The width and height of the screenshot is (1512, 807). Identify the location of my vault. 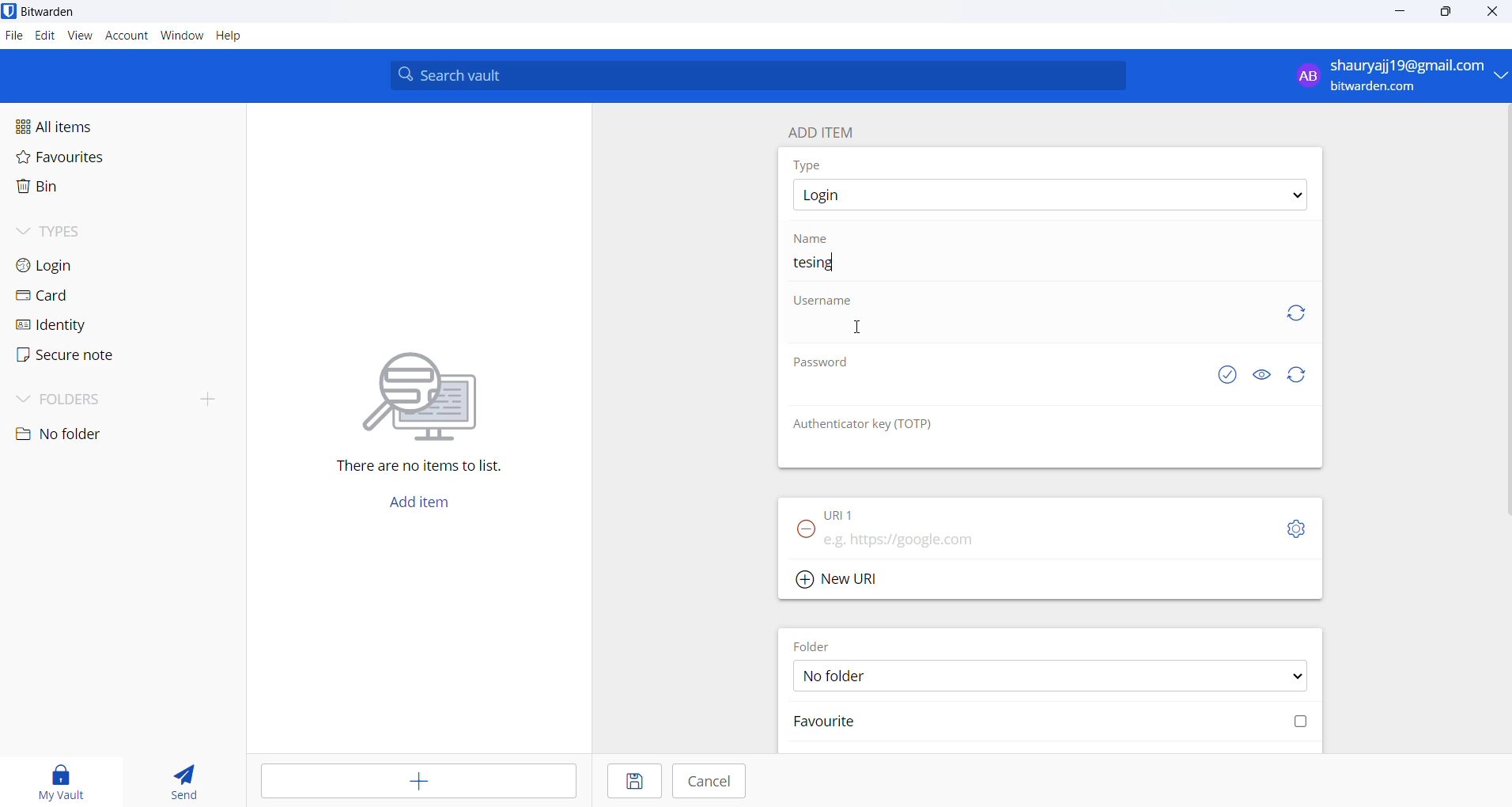
(64, 779).